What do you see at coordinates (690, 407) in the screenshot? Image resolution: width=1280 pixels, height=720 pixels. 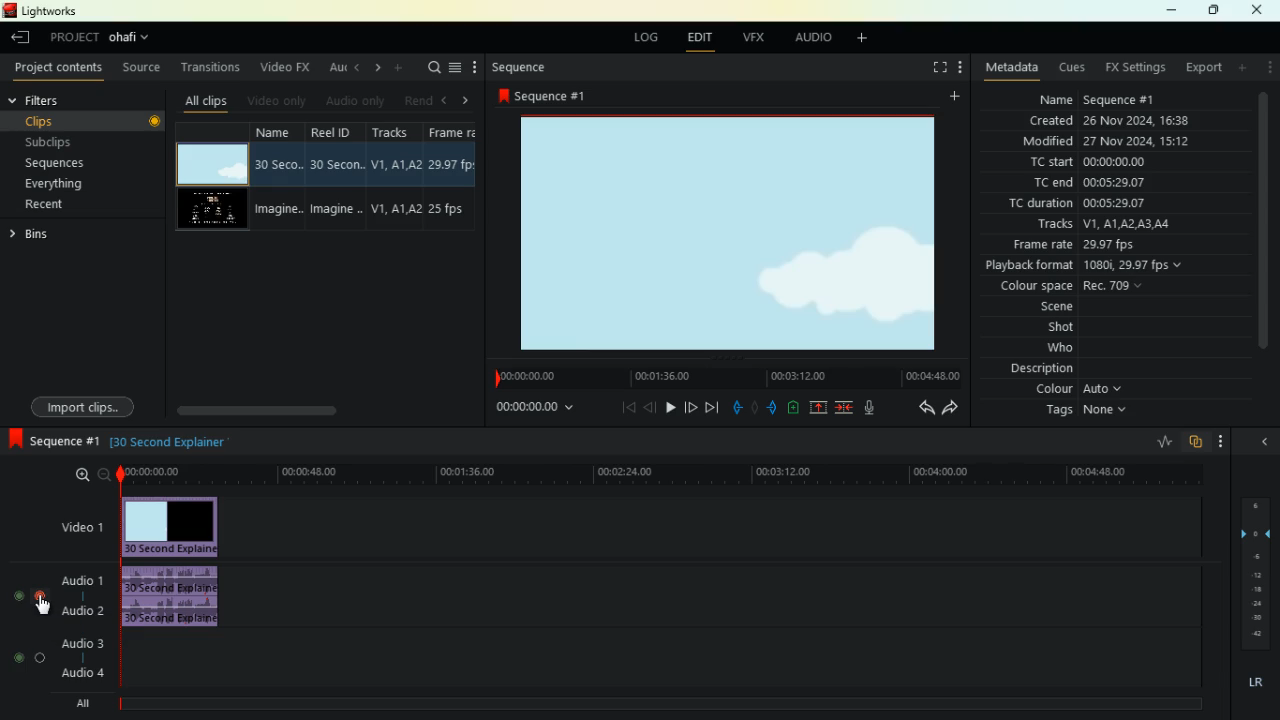 I see `forward` at bounding box center [690, 407].